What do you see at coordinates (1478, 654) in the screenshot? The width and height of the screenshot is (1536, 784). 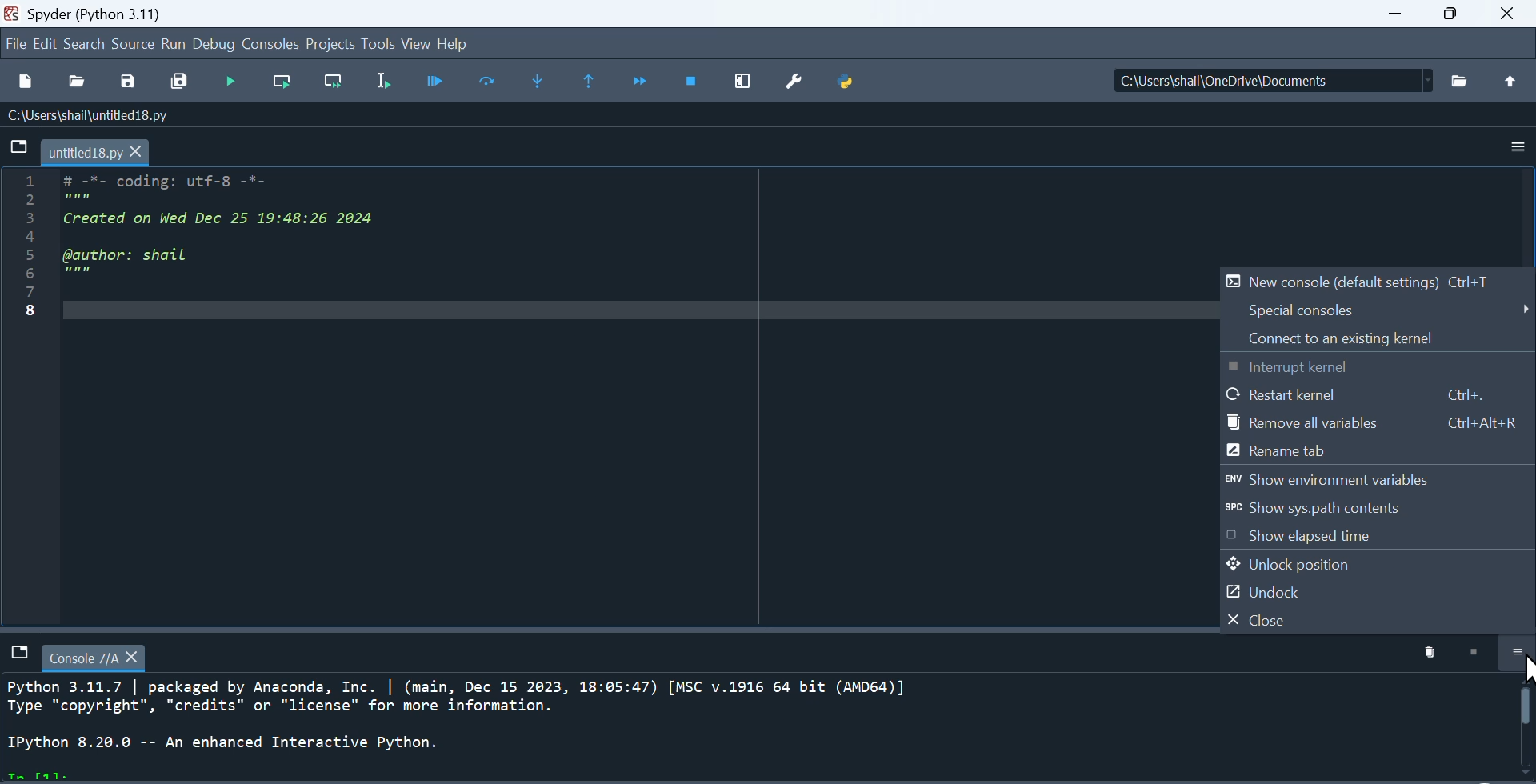 I see `stop kernel` at bounding box center [1478, 654].